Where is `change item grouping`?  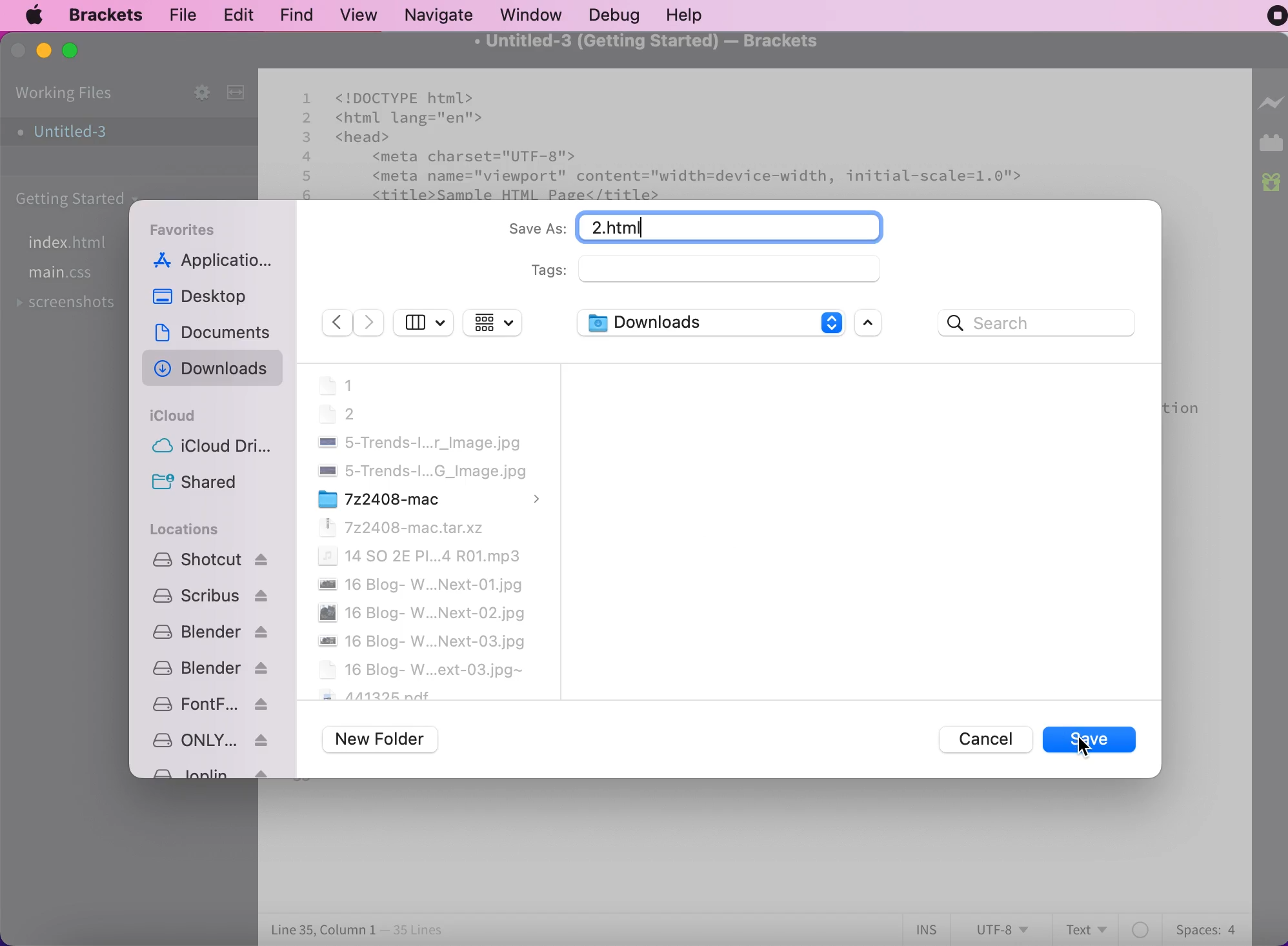
change item grouping is located at coordinates (494, 324).